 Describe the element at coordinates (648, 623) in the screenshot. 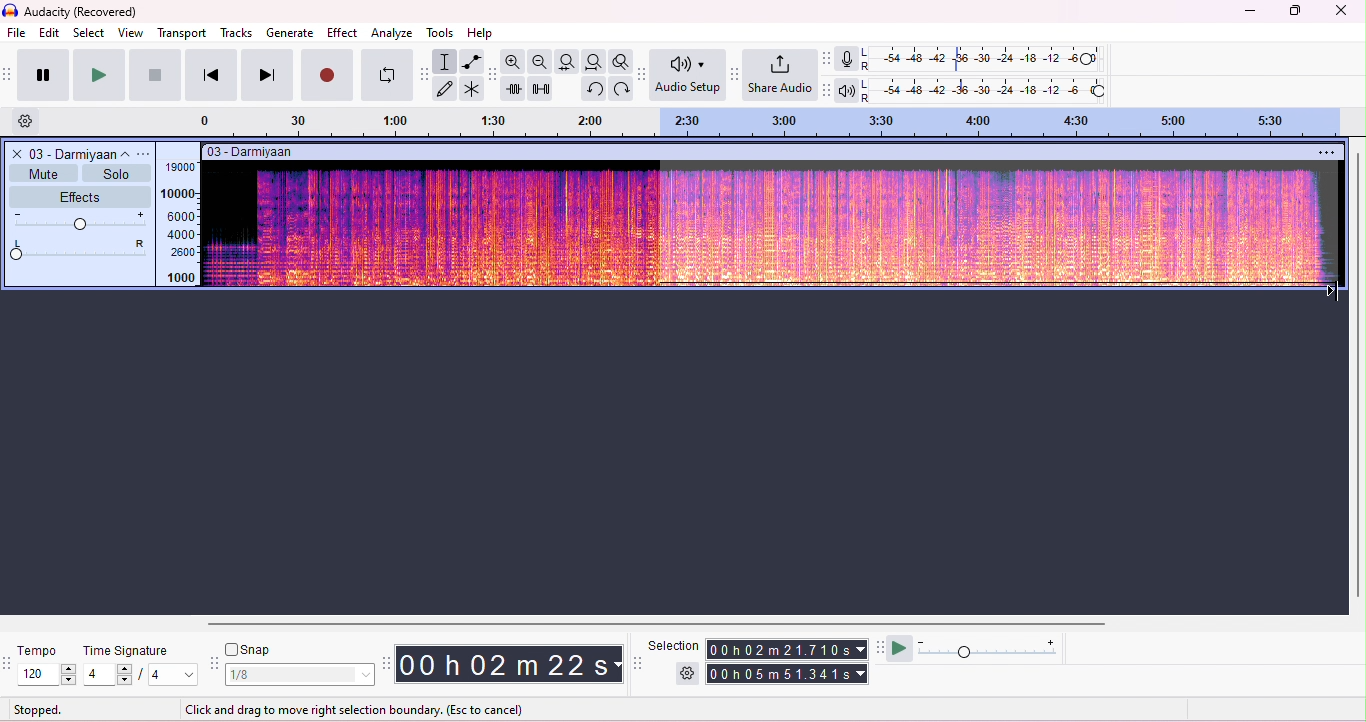

I see `horizontal scroll bar` at that location.